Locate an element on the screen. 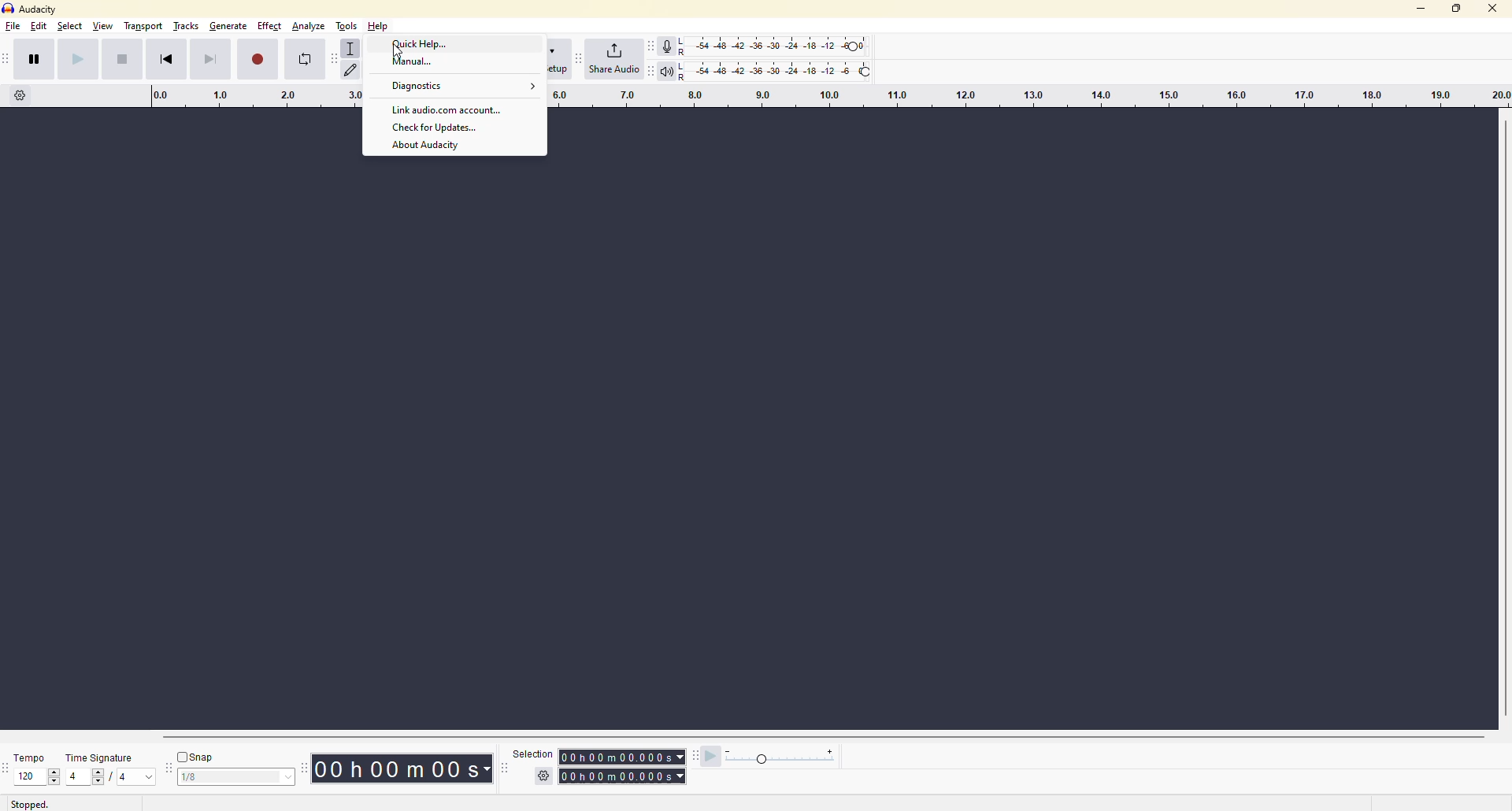  audacity is located at coordinates (31, 10).